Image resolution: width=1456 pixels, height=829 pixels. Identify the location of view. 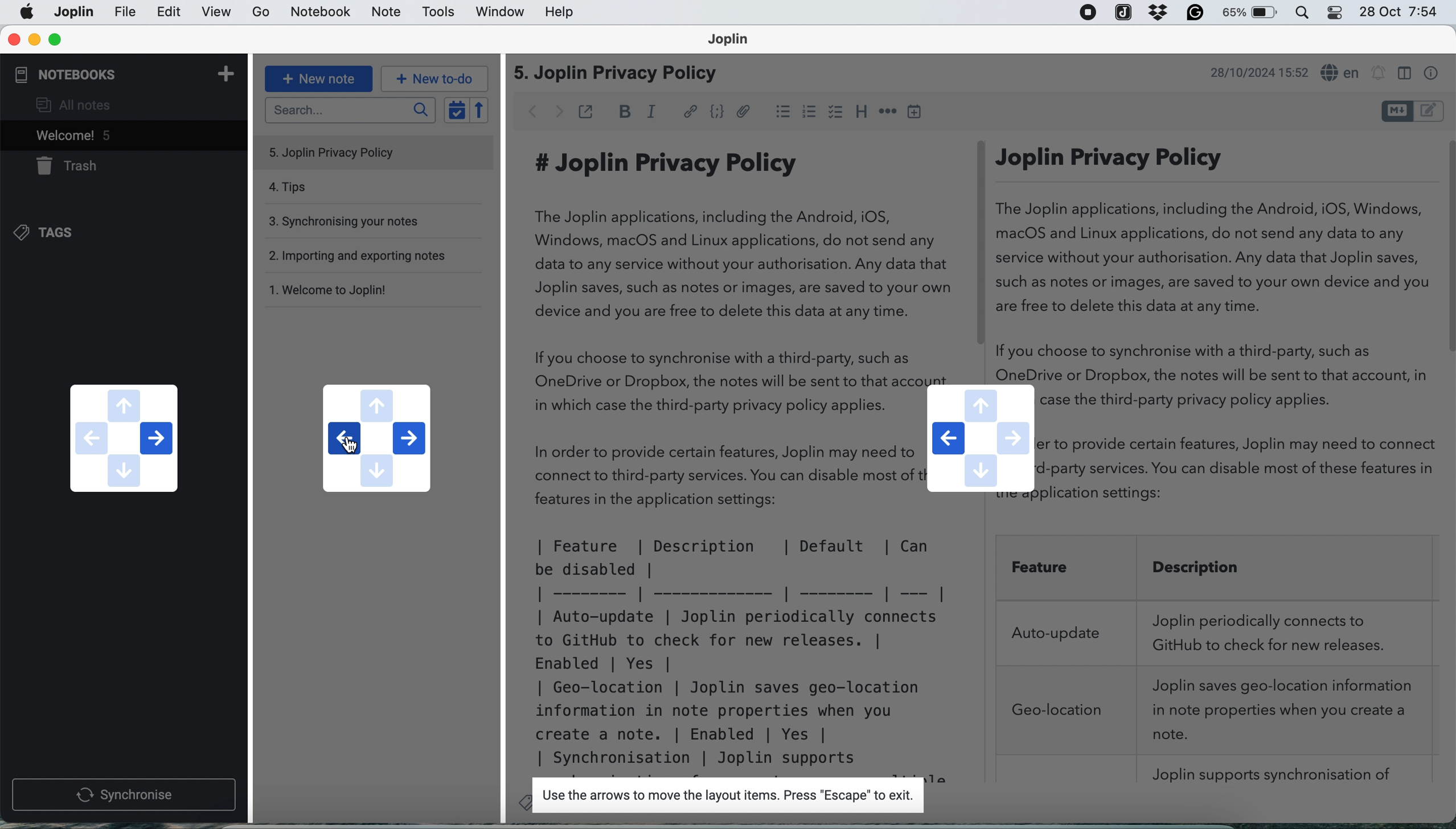
(216, 13).